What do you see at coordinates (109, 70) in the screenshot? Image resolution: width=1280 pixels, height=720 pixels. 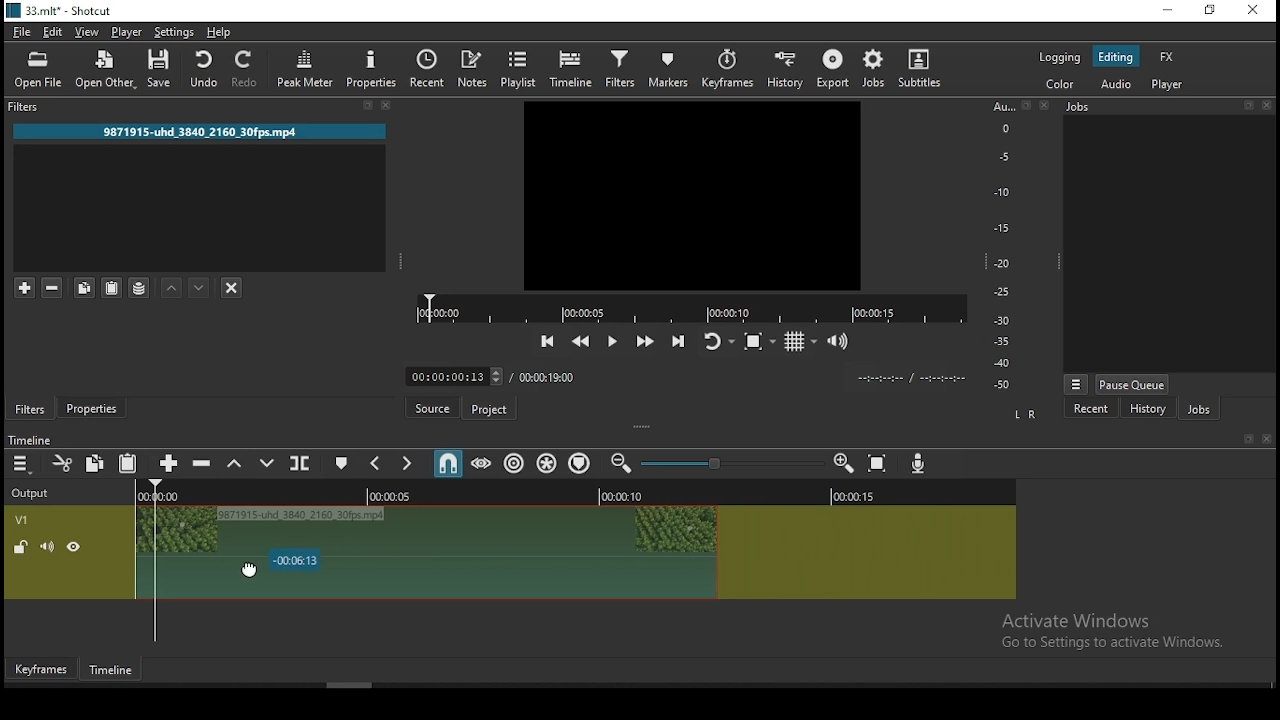 I see `open other` at bounding box center [109, 70].